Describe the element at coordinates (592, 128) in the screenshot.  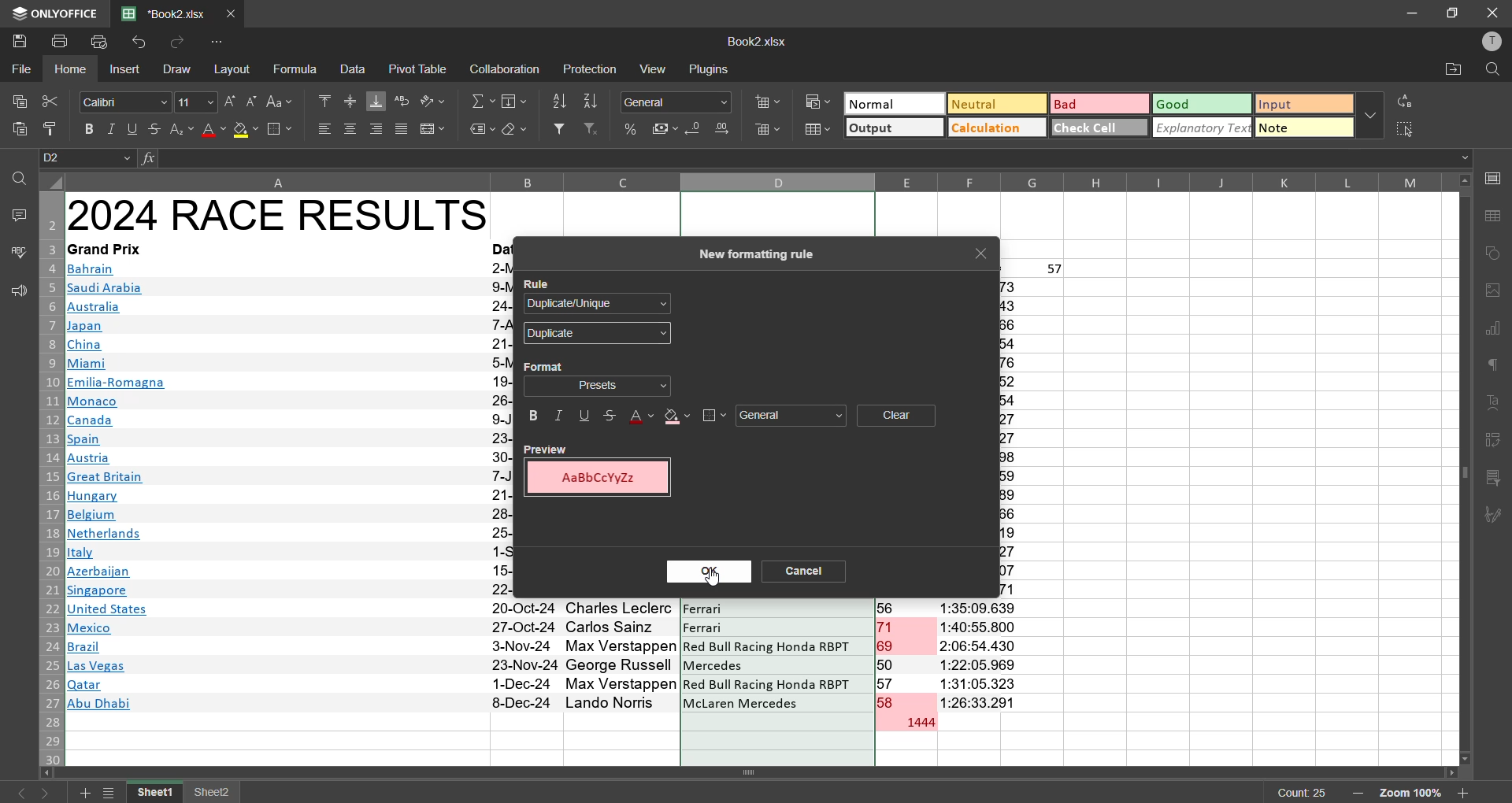
I see `clear filter` at that location.